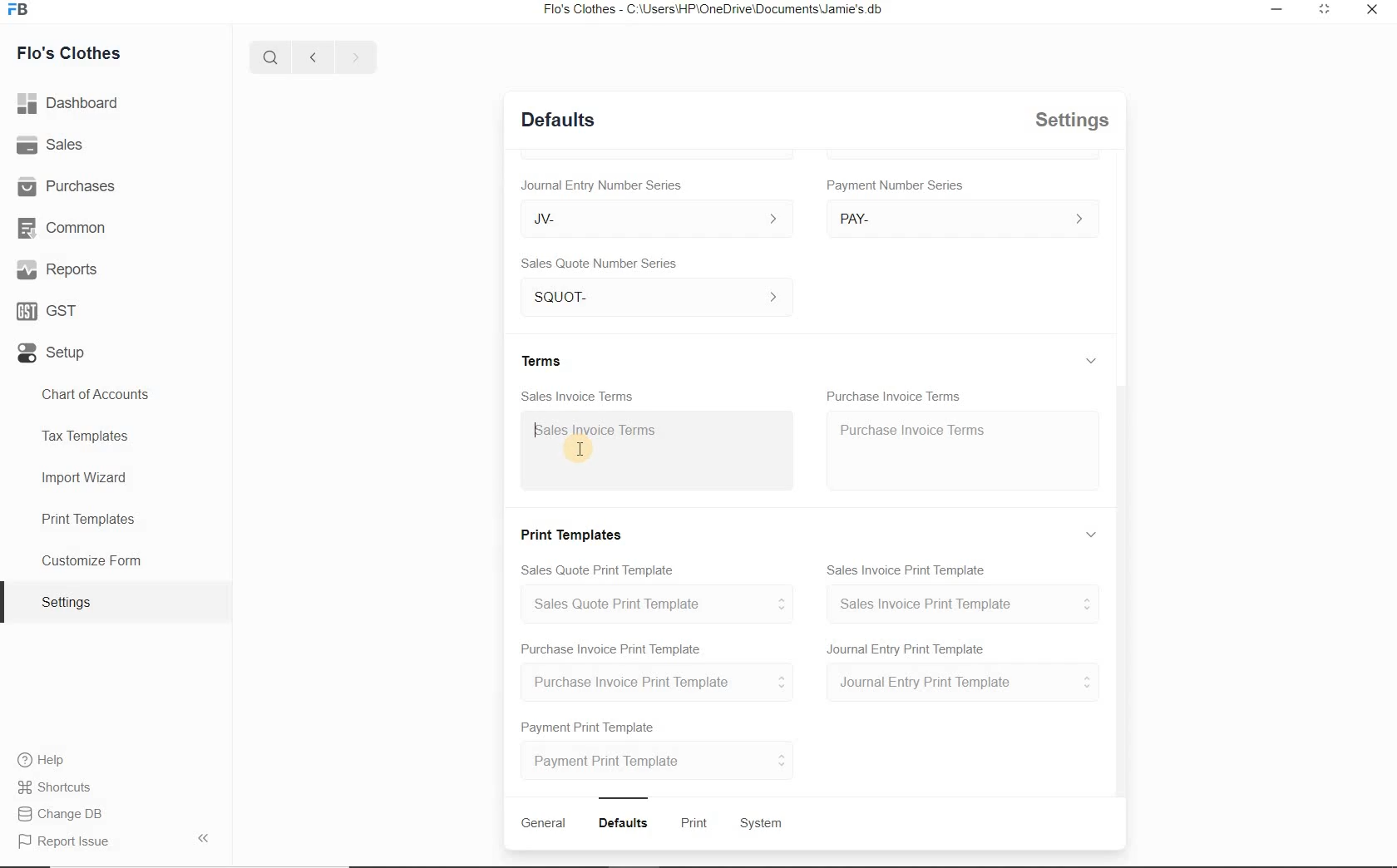  What do you see at coordinates (91, 561) in the screenshot?
I see `Customize Form` at bounding box center [91, 561].